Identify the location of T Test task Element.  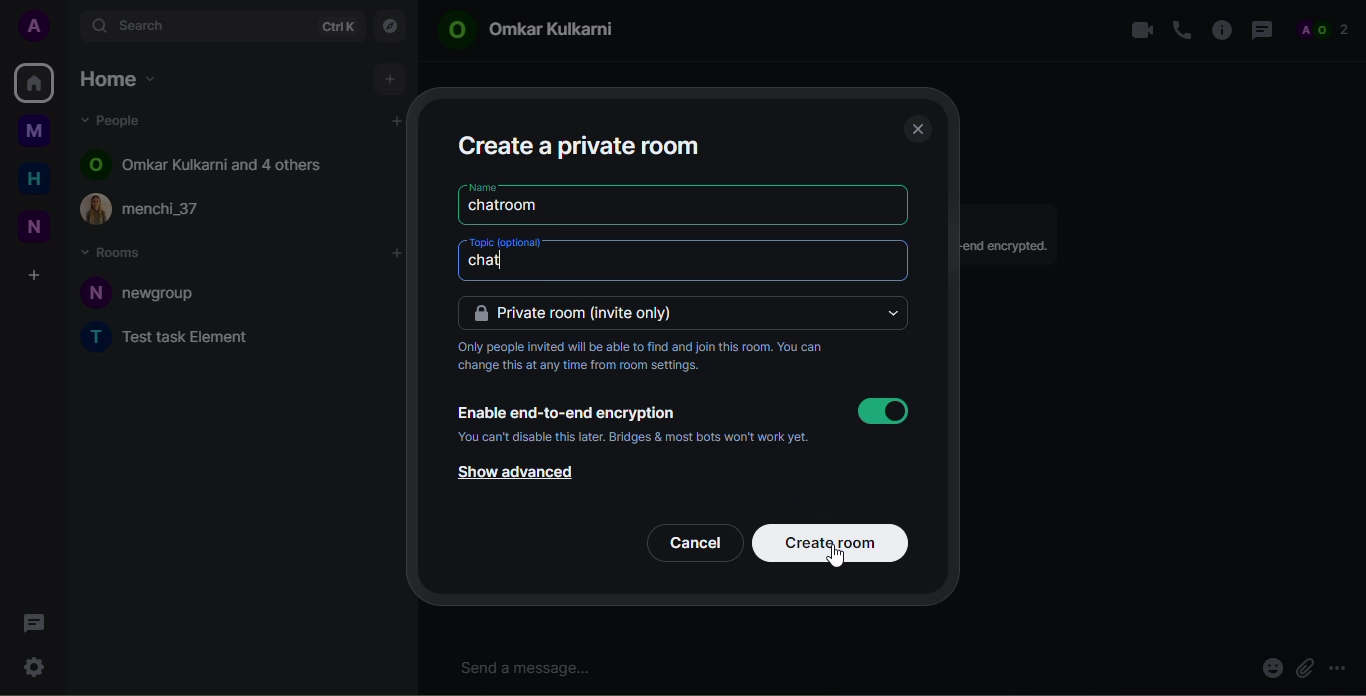
(183, 338).